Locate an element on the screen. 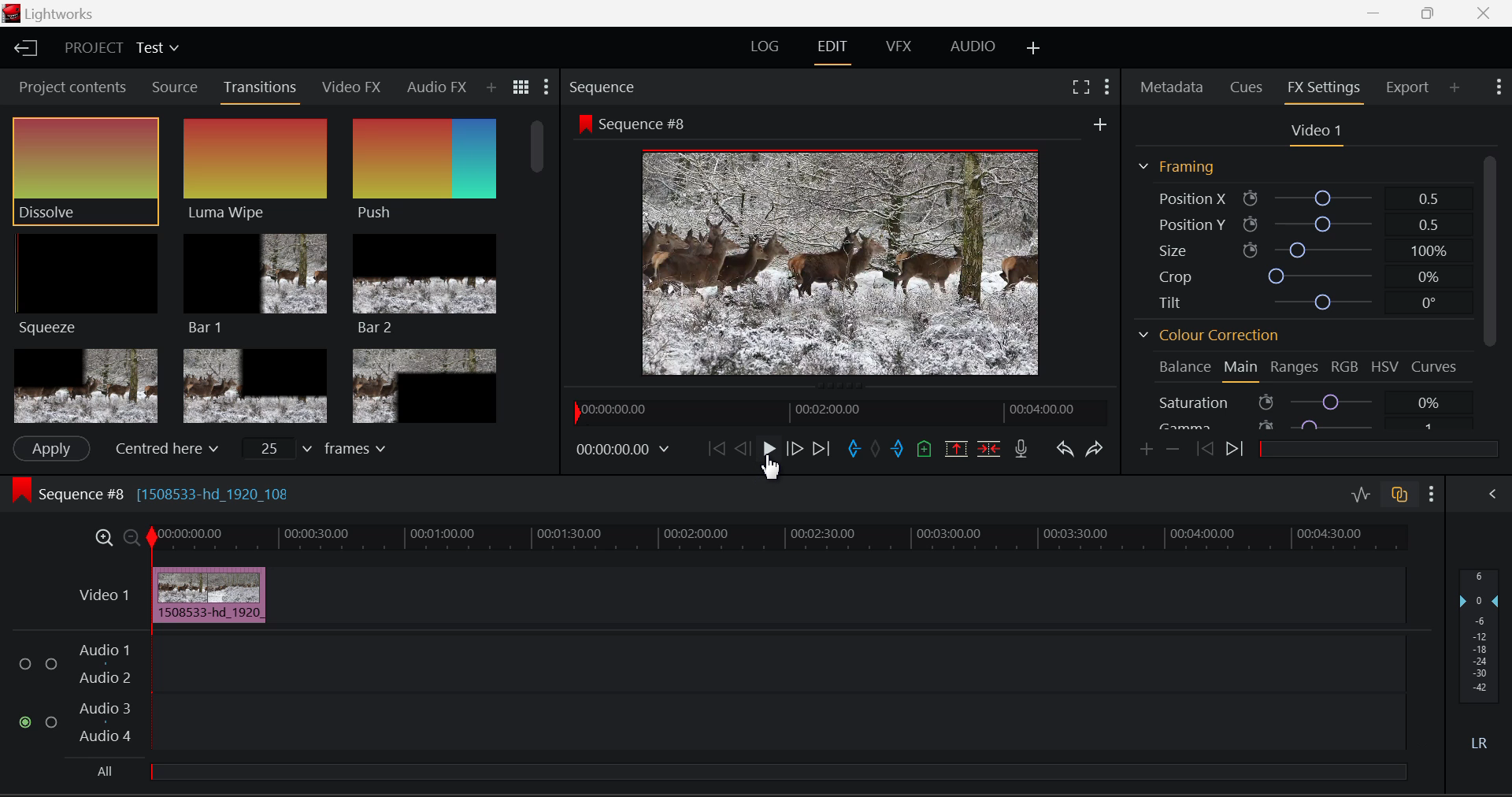  Mark In Point is located at coordinates (854, 451).